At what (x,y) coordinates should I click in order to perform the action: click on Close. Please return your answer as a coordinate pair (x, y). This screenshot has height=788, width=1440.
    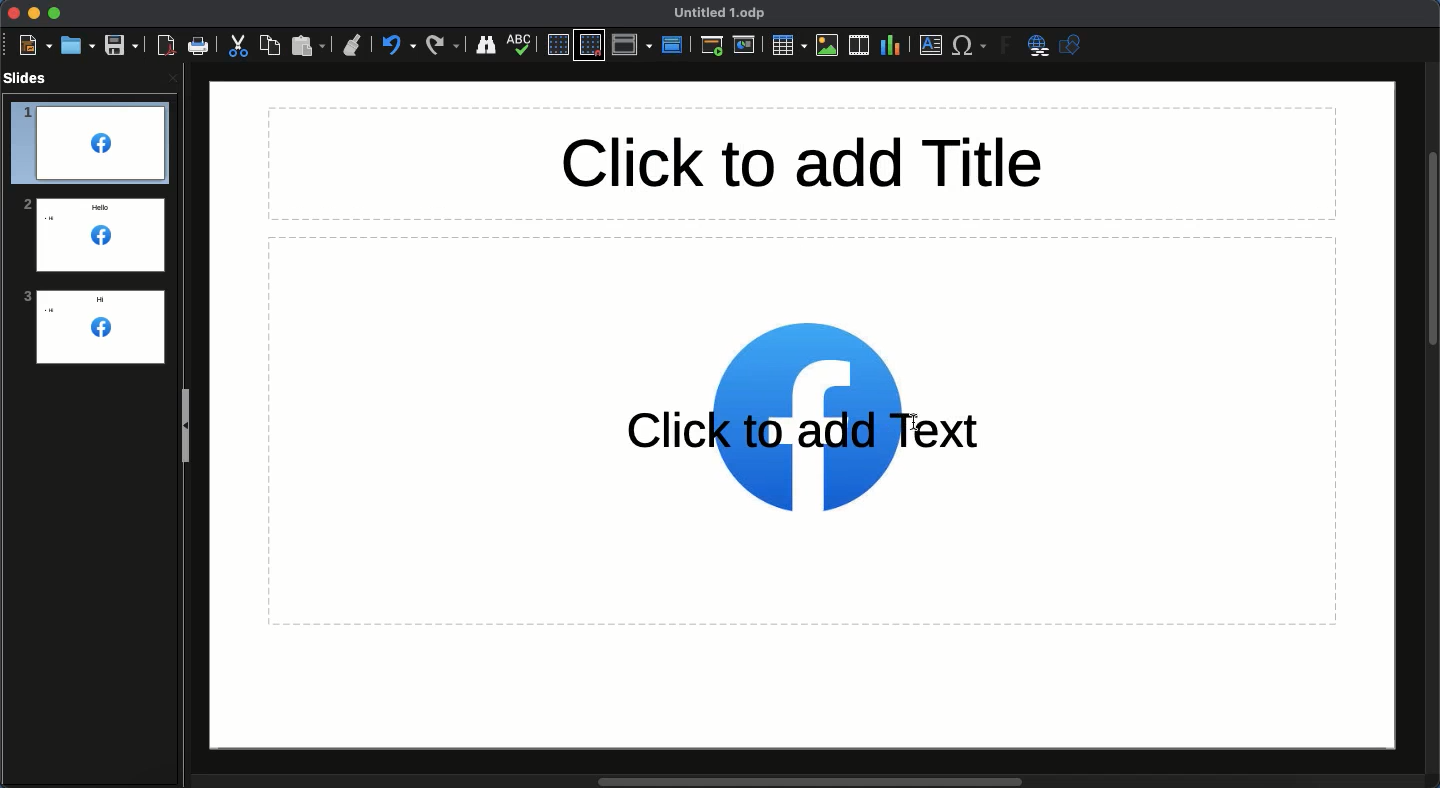
    Looking at the image, I should click on (11, 15).